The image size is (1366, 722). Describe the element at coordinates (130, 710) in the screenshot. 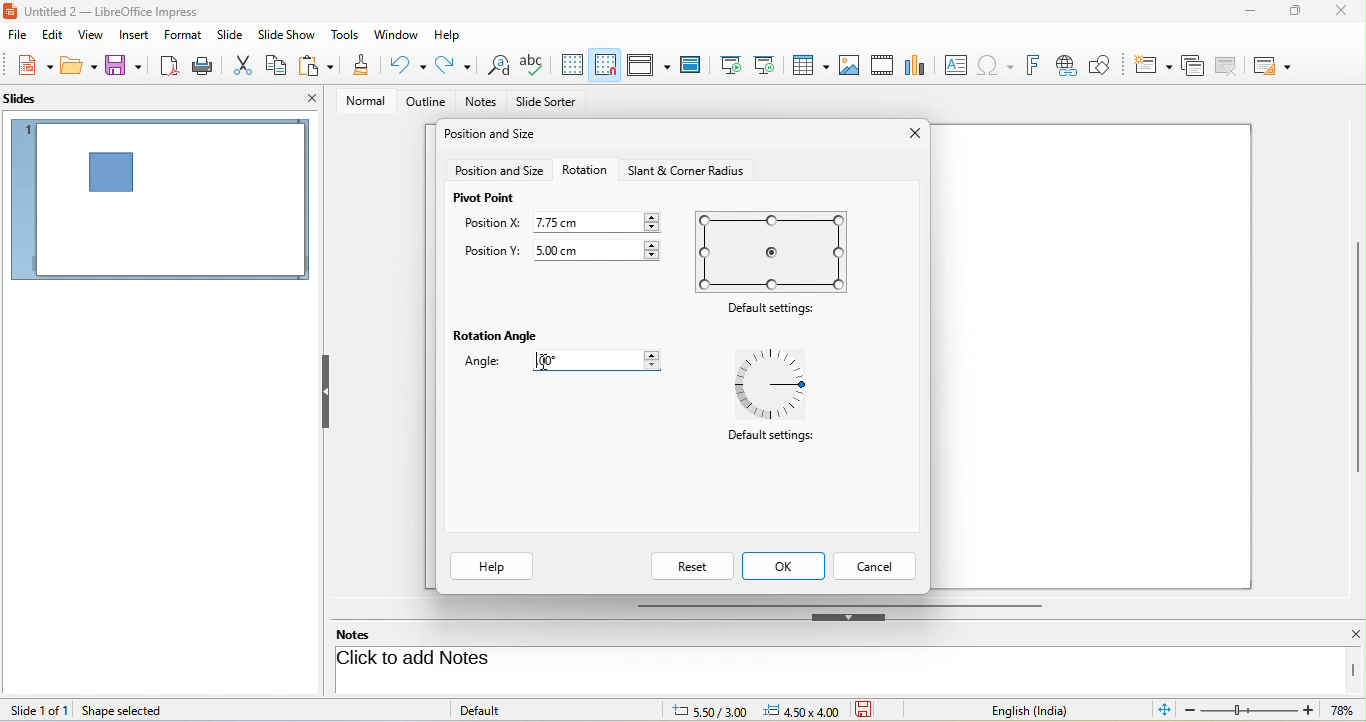

I see `shaped selected` at that location.